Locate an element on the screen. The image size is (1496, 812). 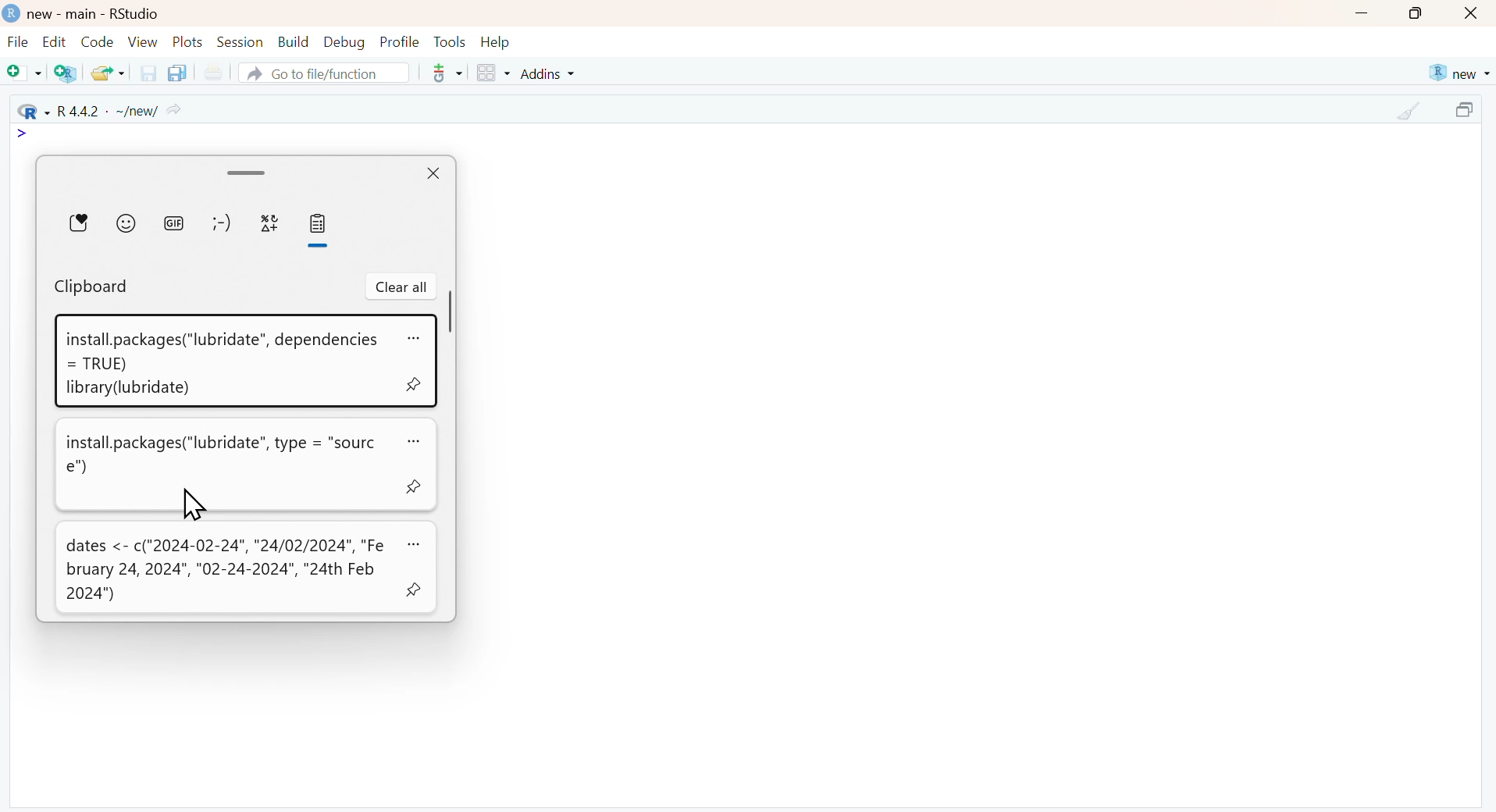
Favorite is located at coordinates (79, 222).